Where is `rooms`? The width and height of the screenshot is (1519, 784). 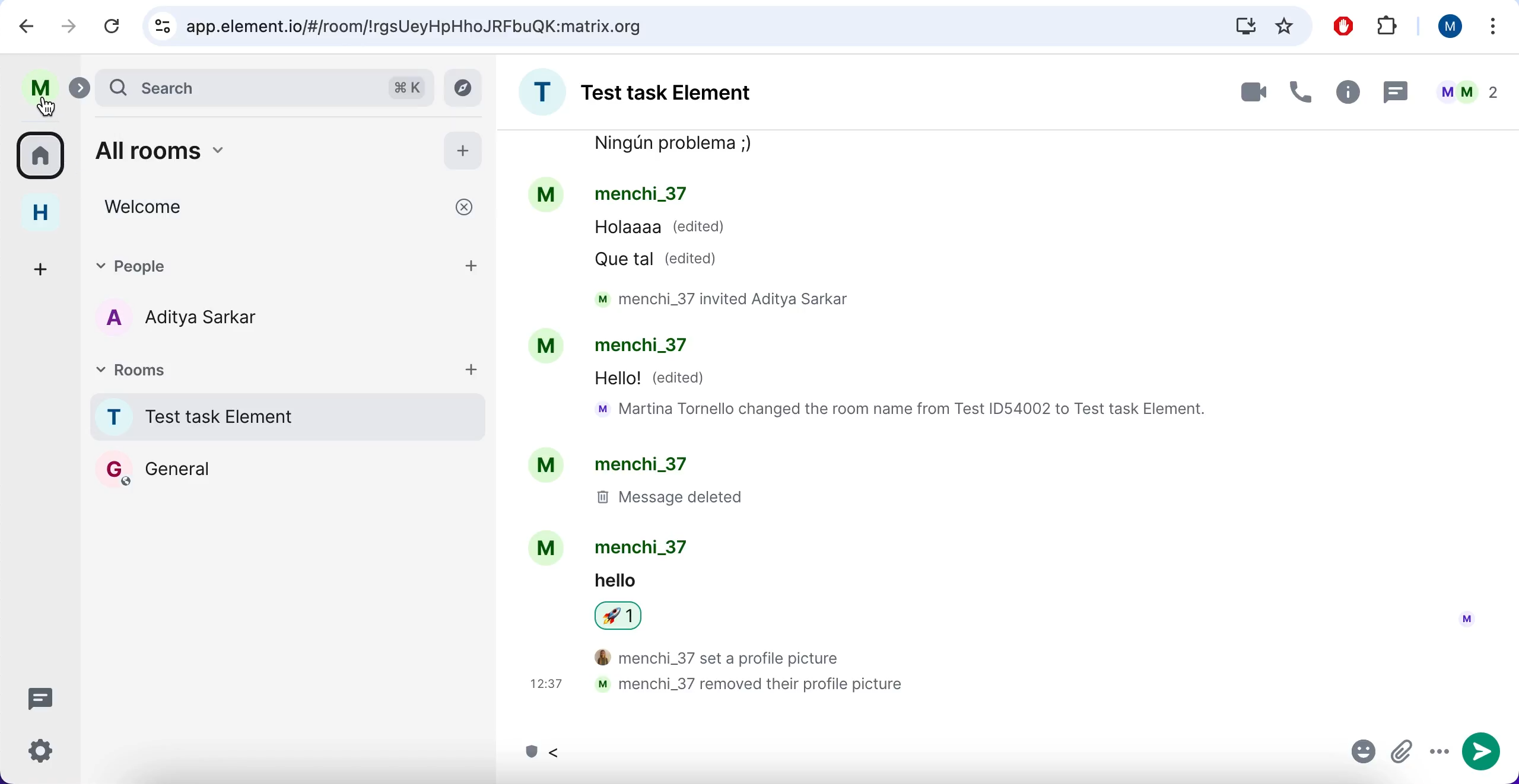
rooms is located at coordinates (262, 369).